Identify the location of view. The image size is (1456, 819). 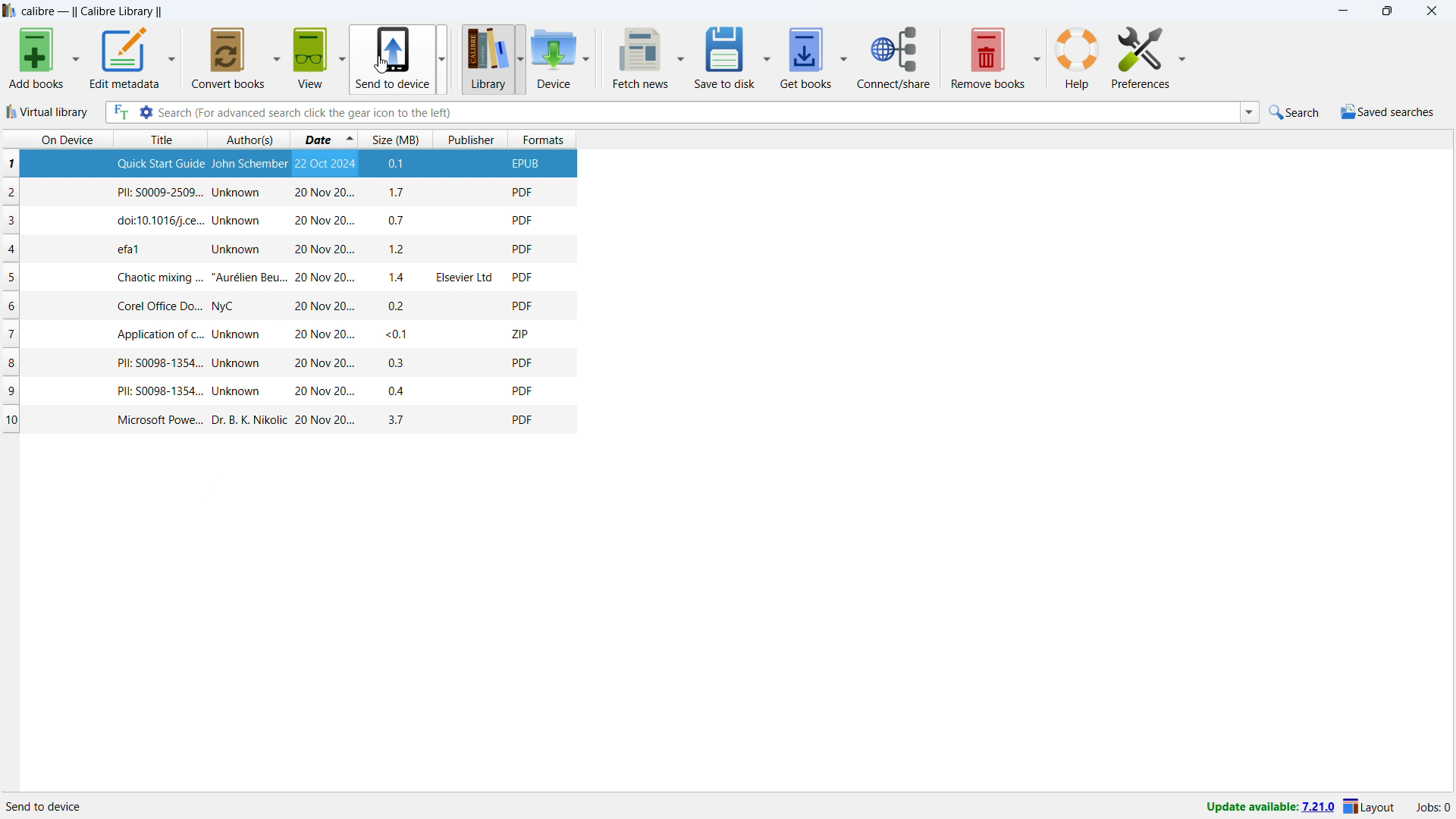
(310, 58).